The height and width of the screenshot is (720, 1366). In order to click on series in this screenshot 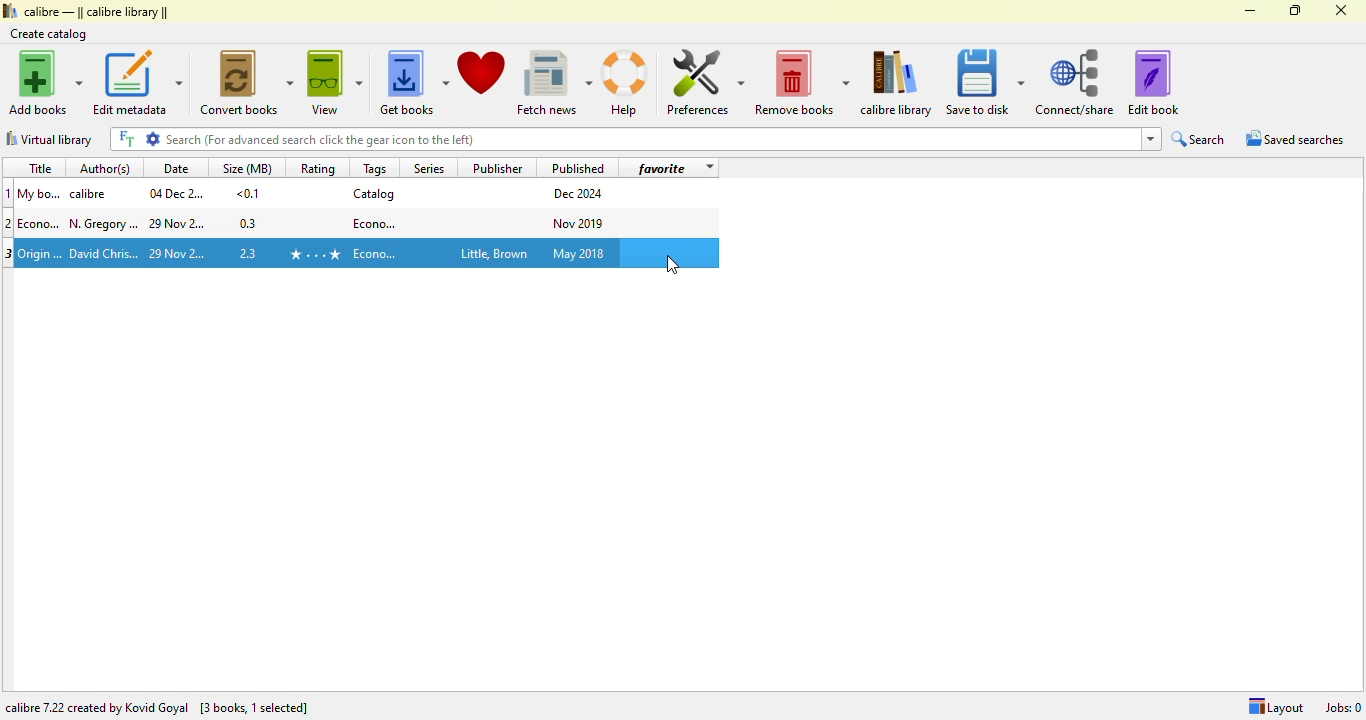, I will do `click(427, 167)`.